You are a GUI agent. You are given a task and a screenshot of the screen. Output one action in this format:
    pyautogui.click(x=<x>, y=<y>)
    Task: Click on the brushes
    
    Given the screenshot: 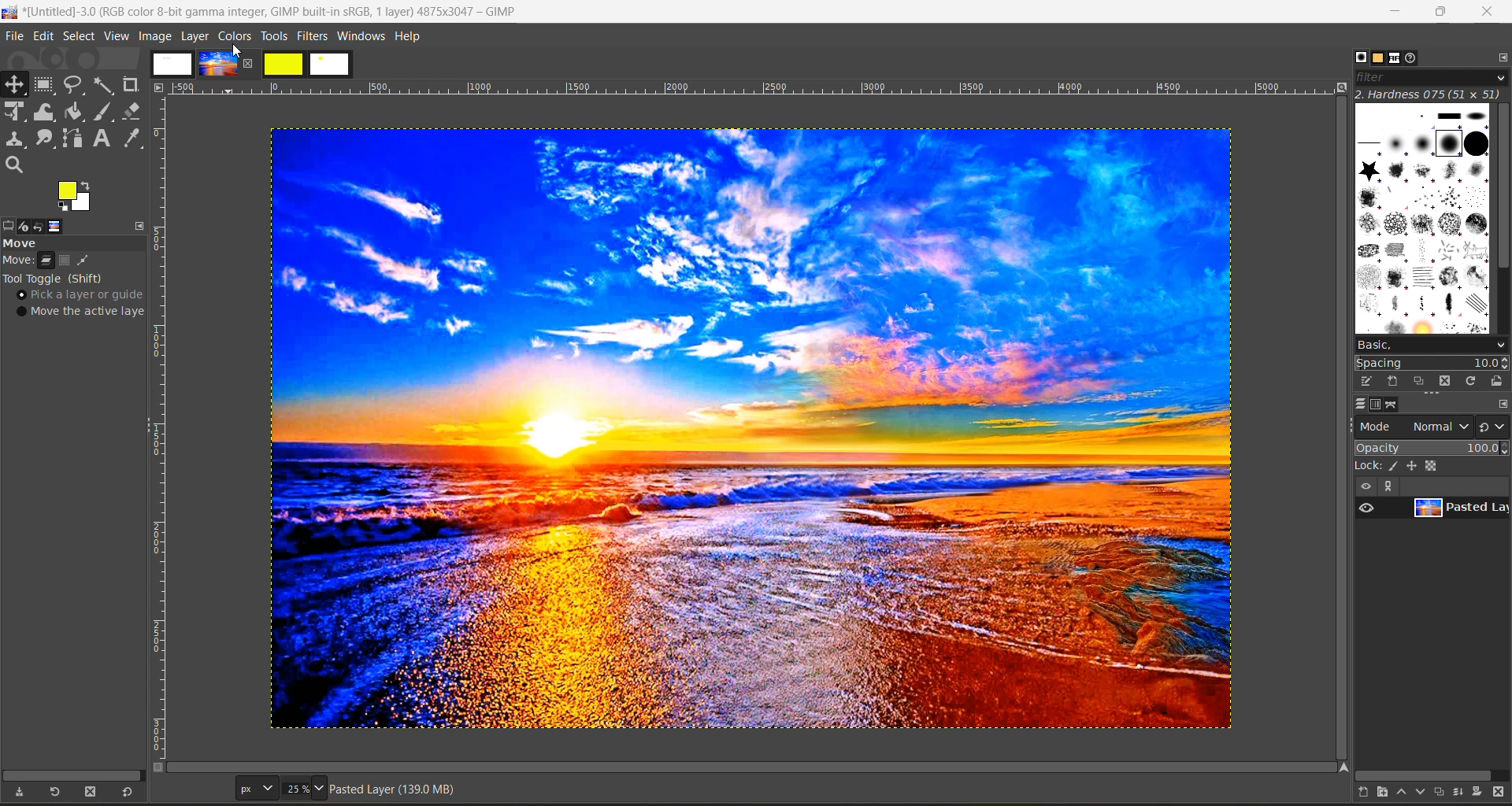 What is the action you would take?
    pyautogui.click(x=1361, y=57)
    